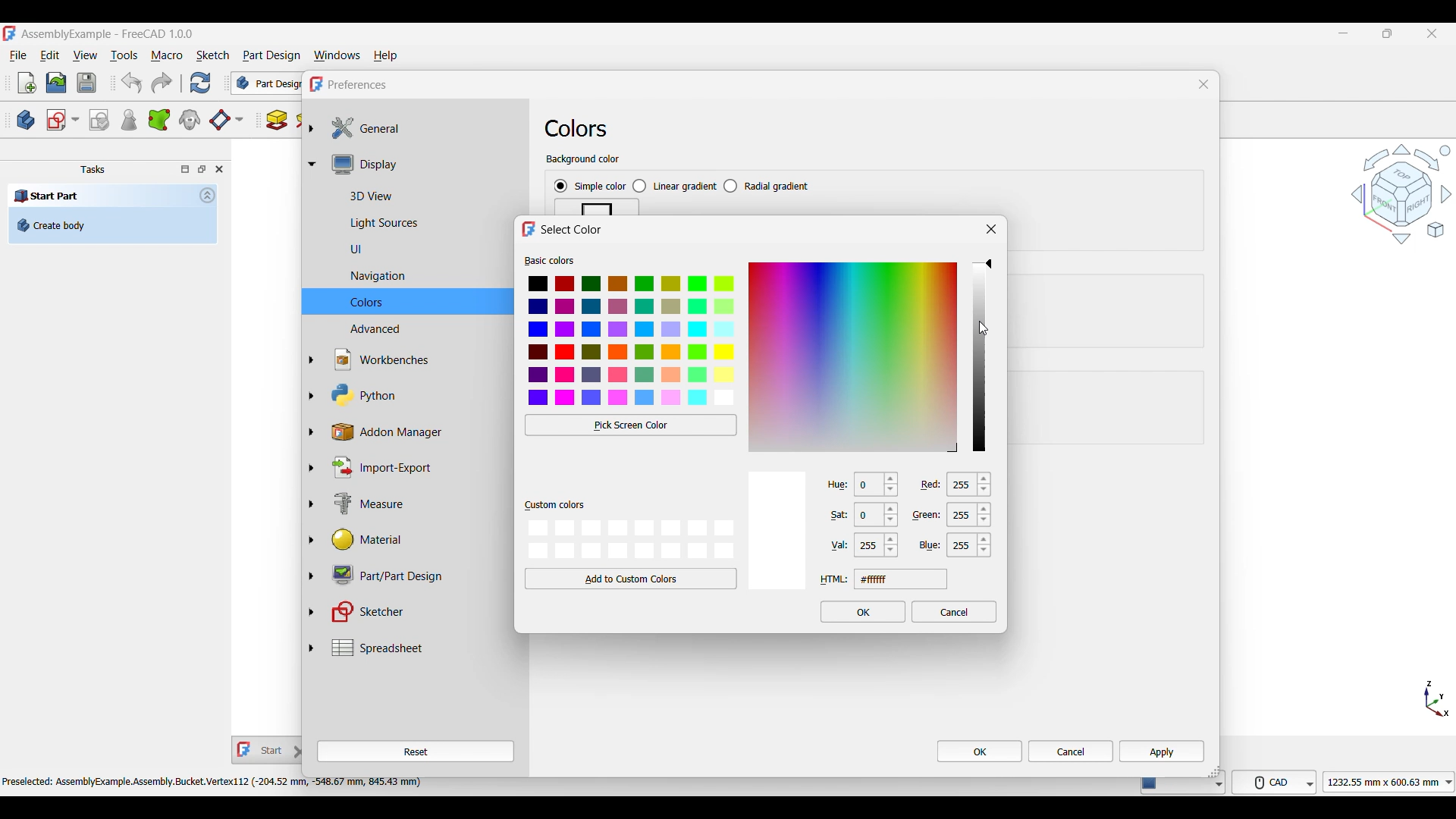  Describe the element at coordinates (63, 120) in the screenshot. I see `Create a sketch options` at that location.